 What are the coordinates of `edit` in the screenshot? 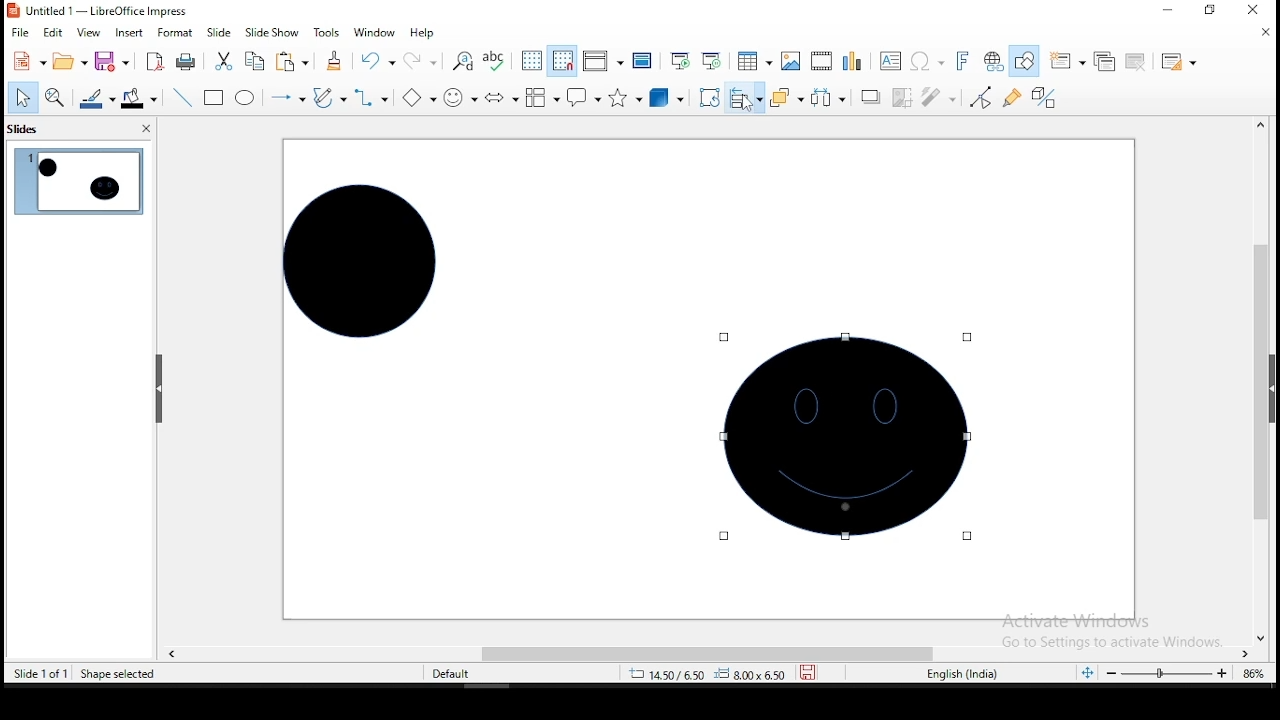 It's located at (55, 33).